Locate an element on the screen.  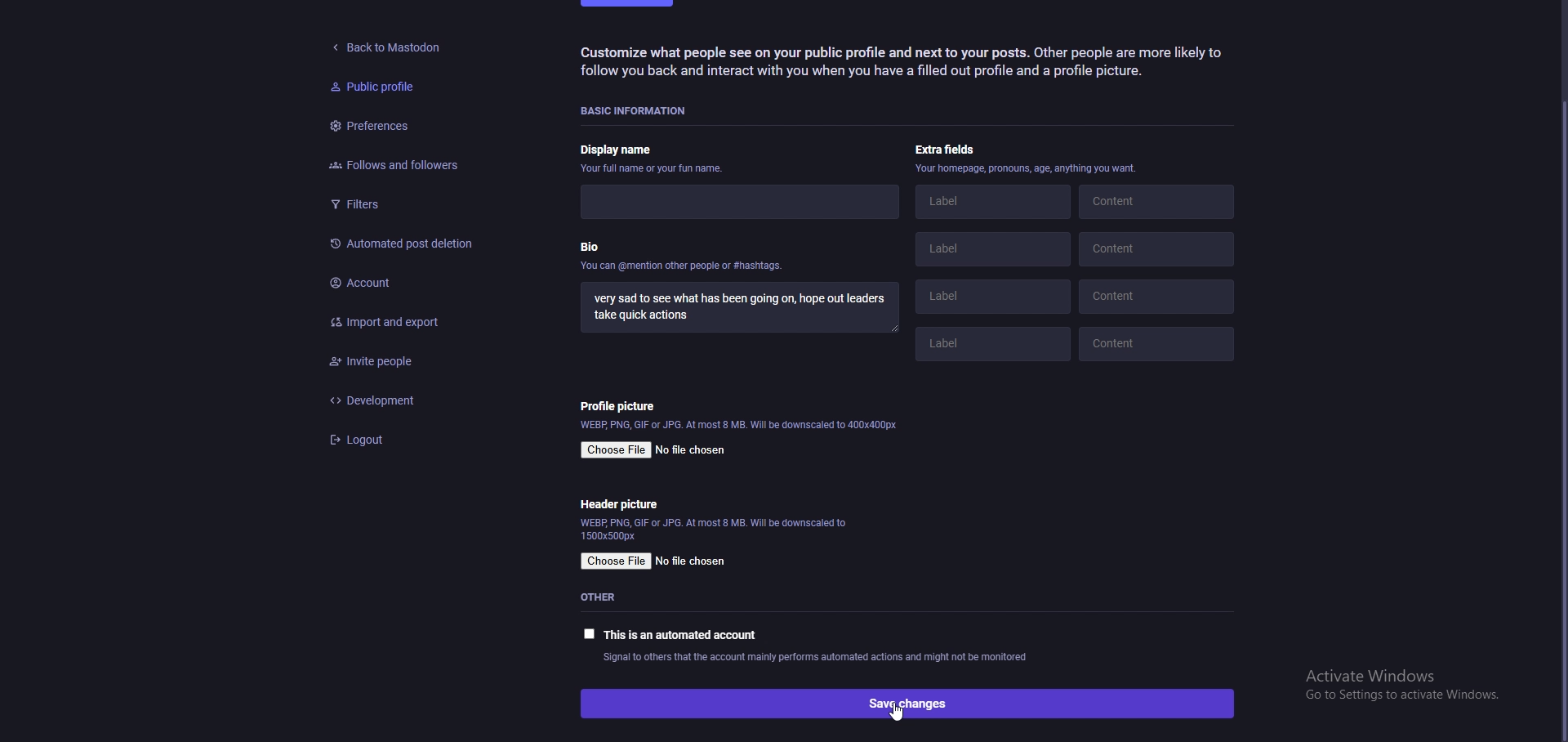
label is located at coordinates (992, 252).